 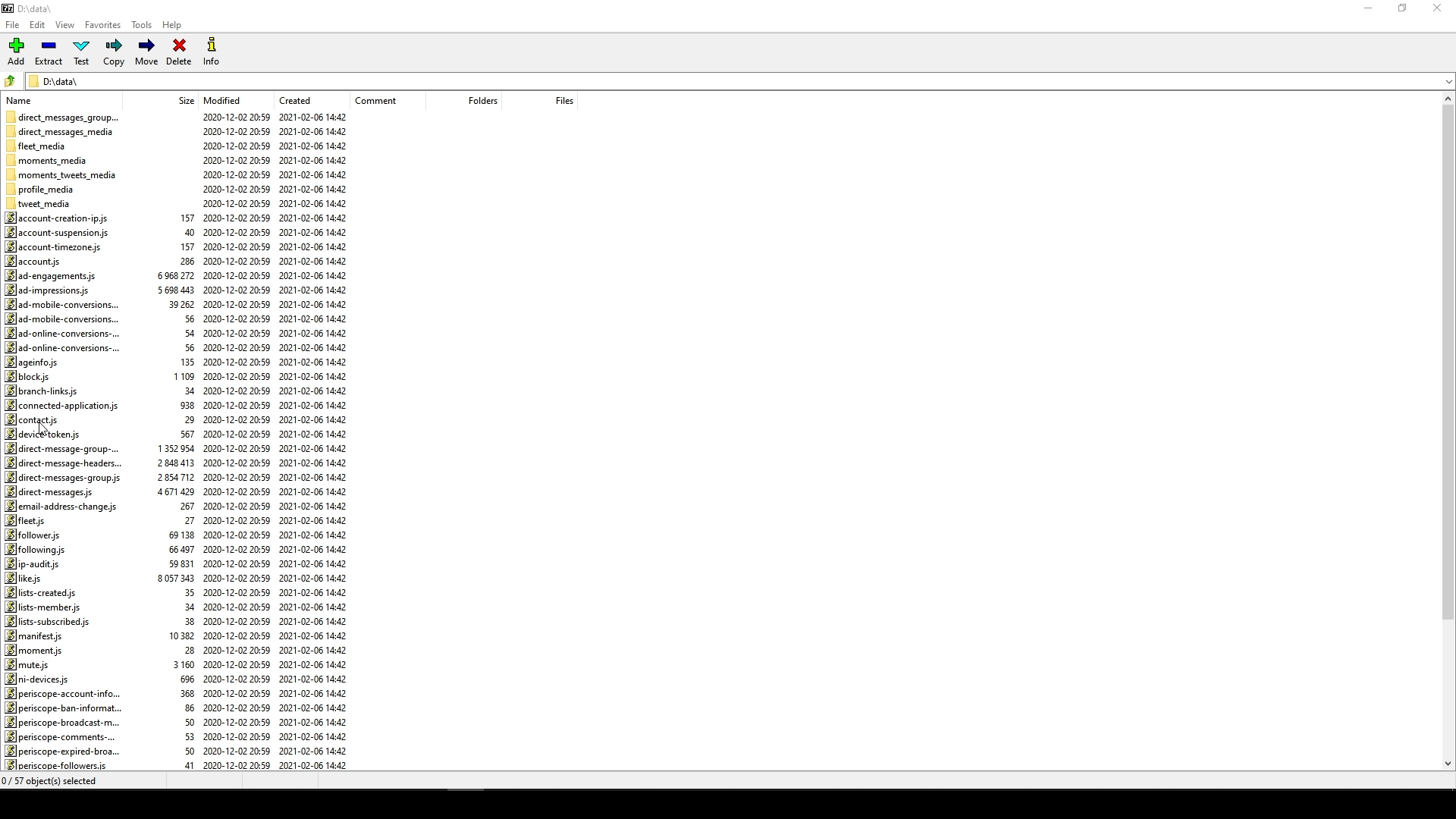 I want to click on periscope-broadcast-m, so click(x=60, y=723).